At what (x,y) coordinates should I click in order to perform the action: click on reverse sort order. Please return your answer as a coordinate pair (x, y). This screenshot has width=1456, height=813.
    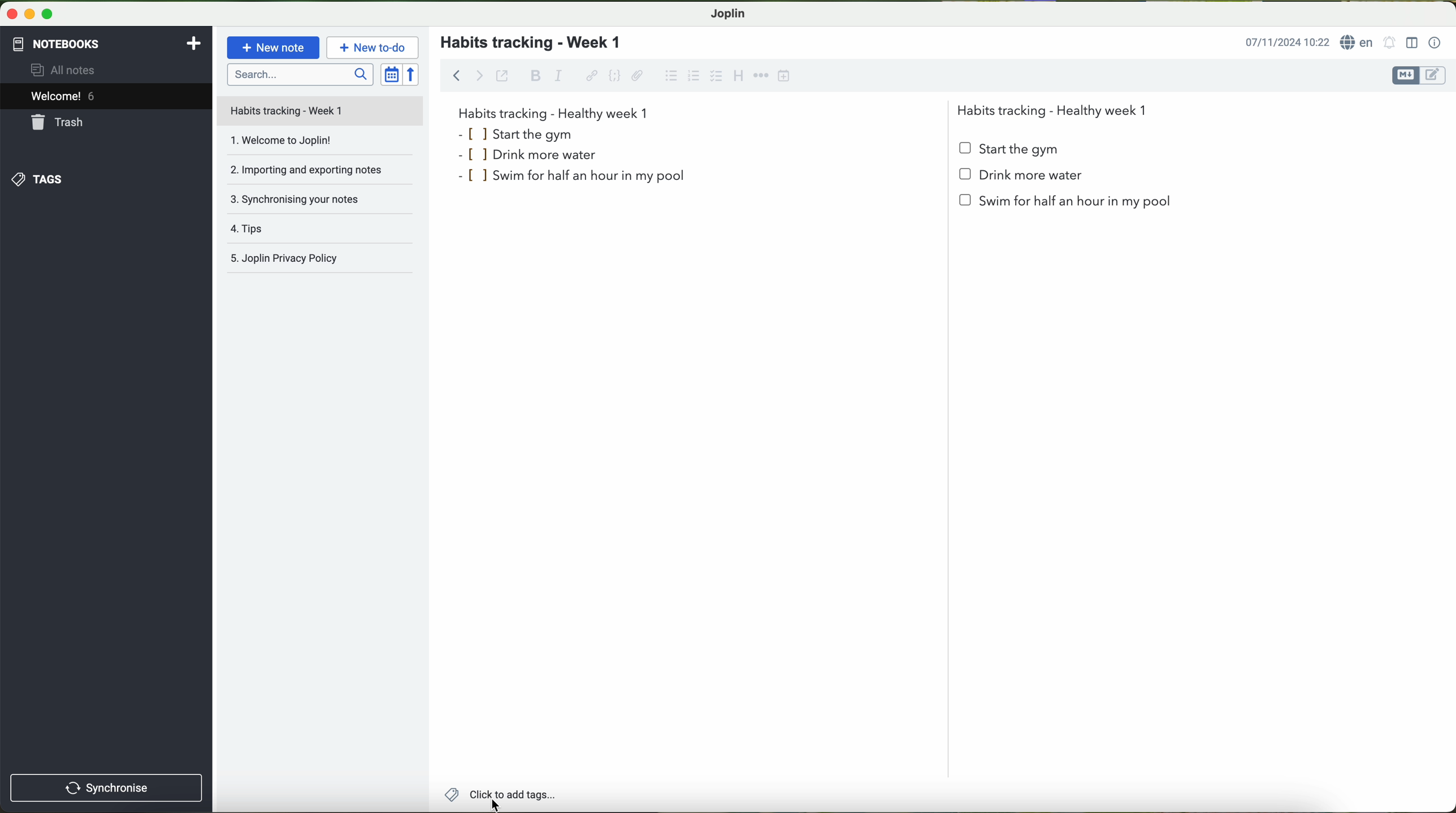
    Looking at the image, I should click on (412, 74).